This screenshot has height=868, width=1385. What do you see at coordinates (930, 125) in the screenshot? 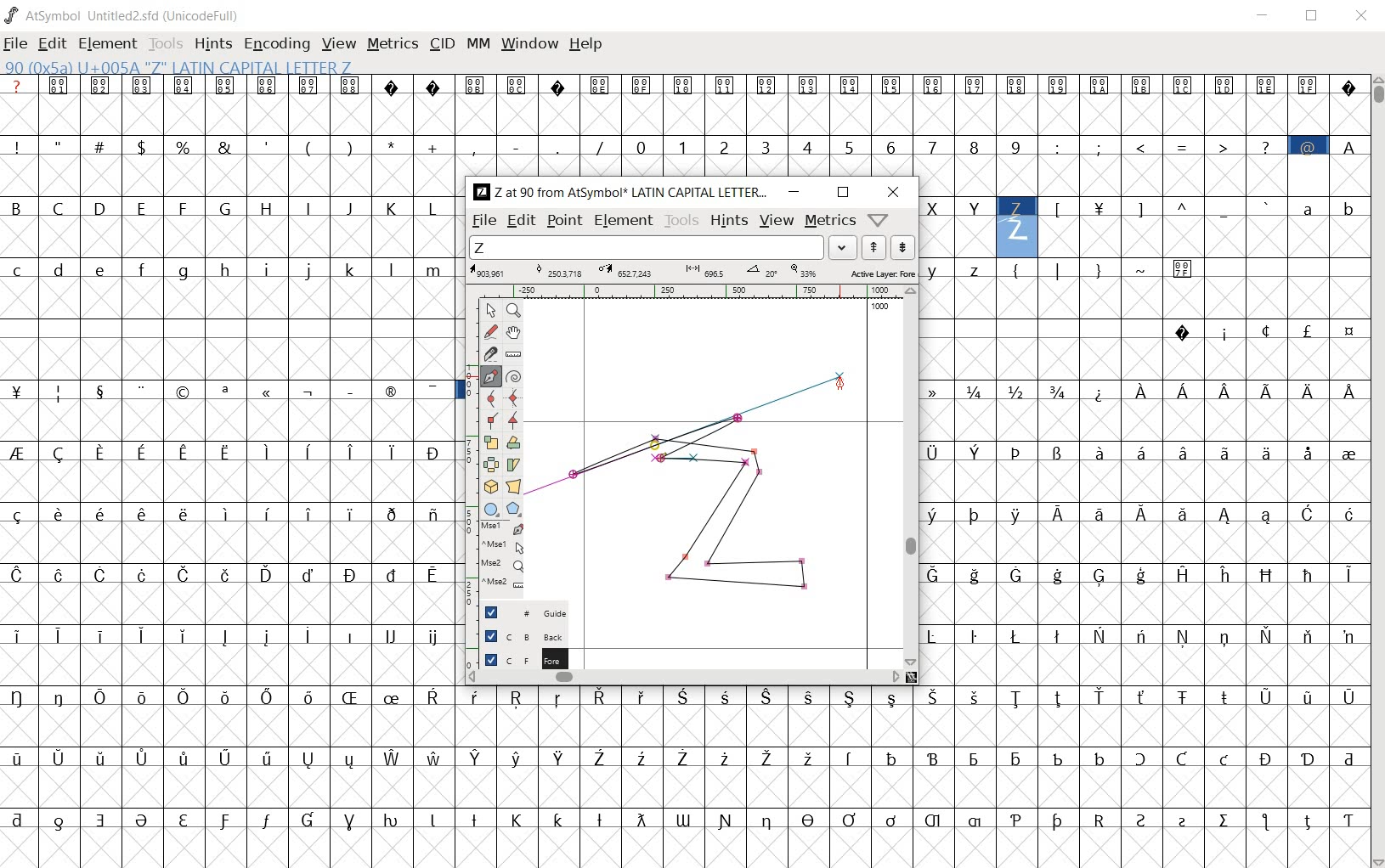
I see `glyph characters` at bounding box center [930, 125].